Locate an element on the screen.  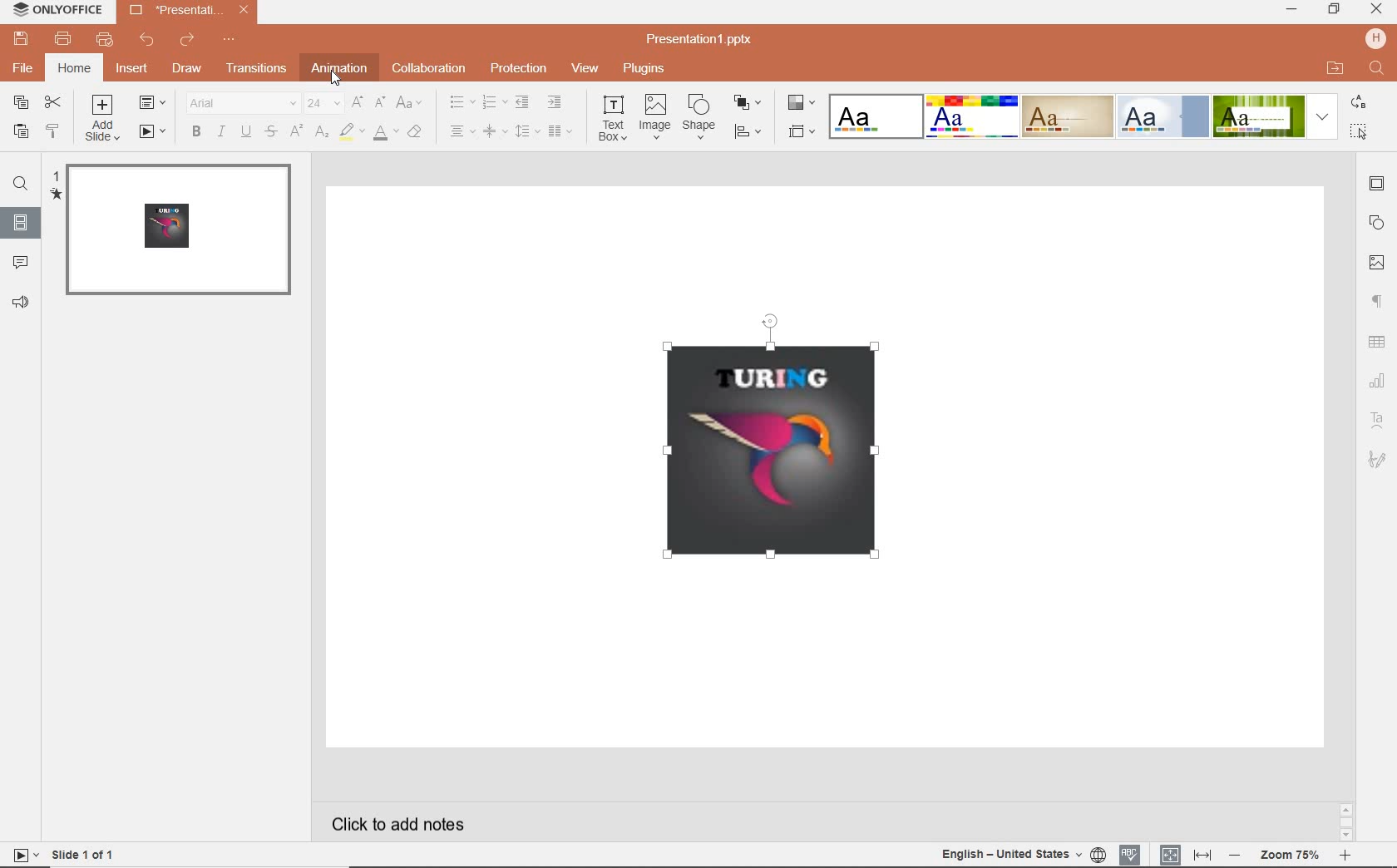
comments is located at coordinates (21, 264).